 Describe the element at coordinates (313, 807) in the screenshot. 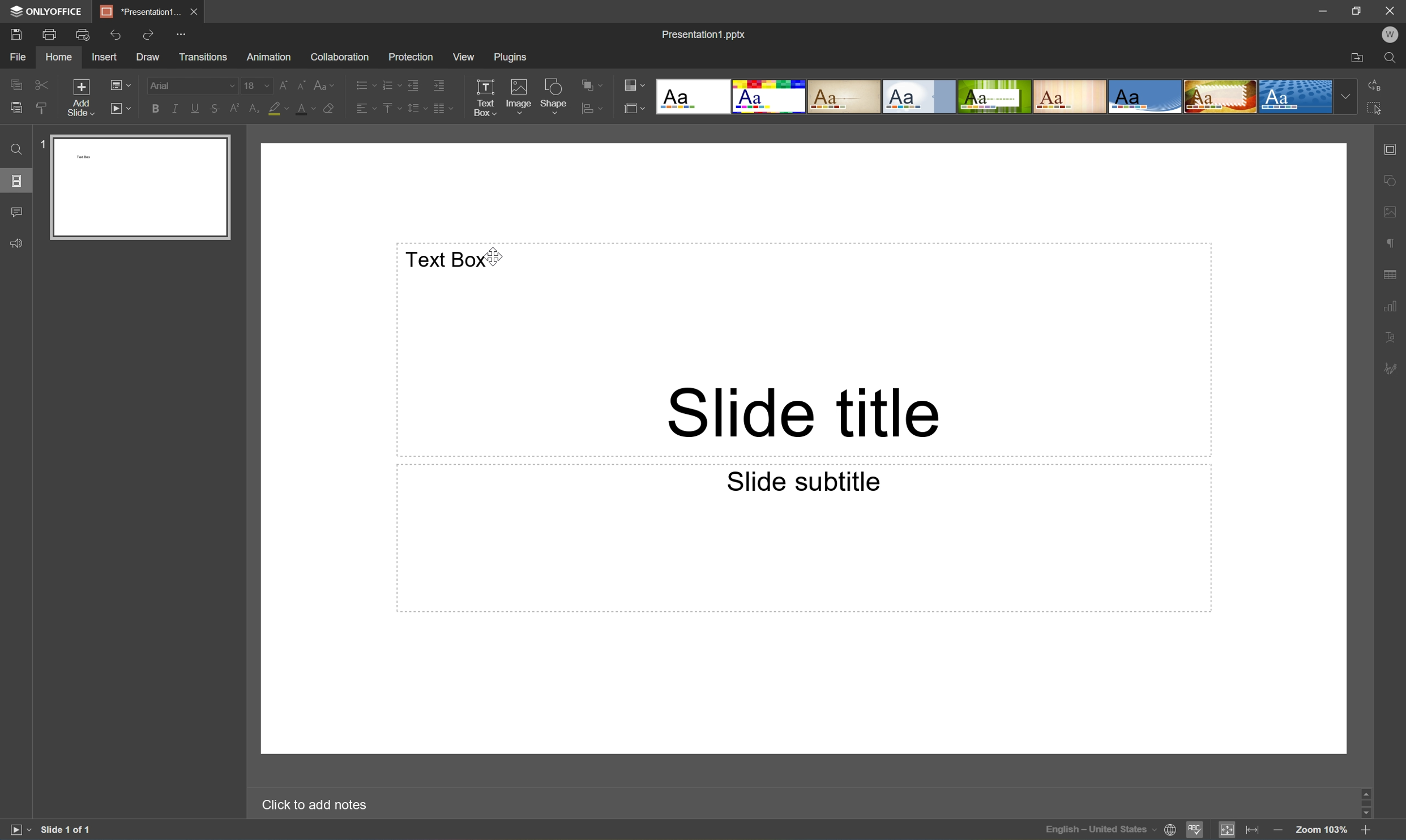

I see `Click to add notes` at that location.